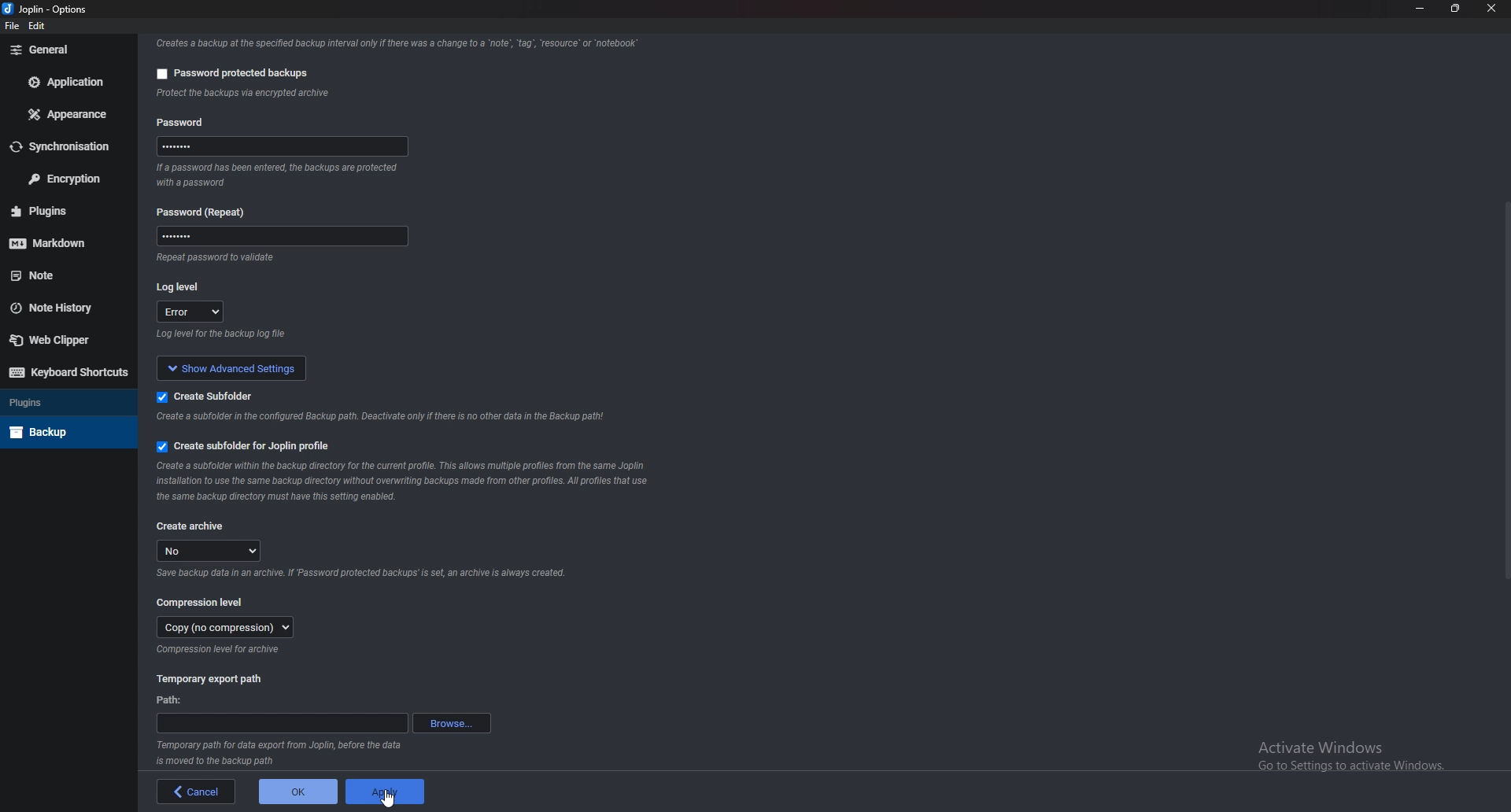  Describe the element at coordinates (65, 373) in the screenshot. I see `Keyboard shortcuts` at that location.